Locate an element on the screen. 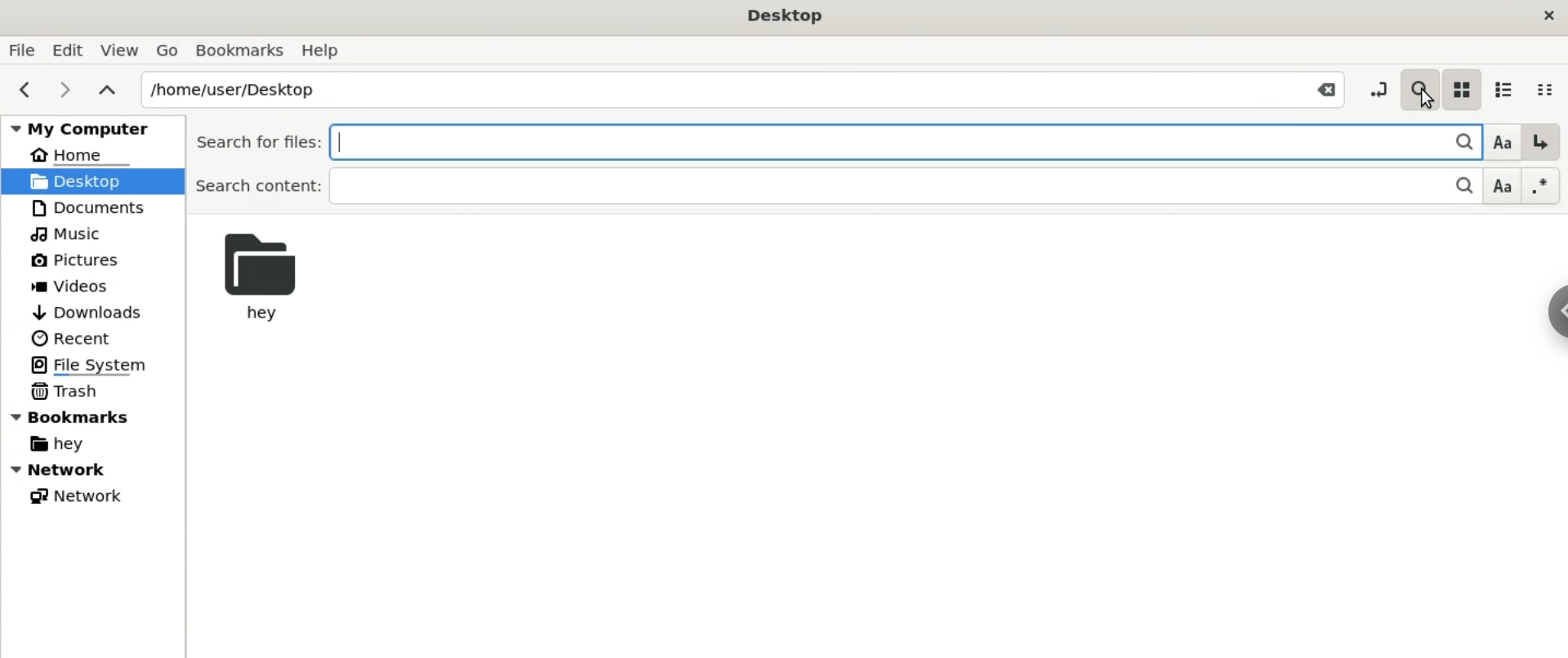  list view is located at coordinates (1502, 86).